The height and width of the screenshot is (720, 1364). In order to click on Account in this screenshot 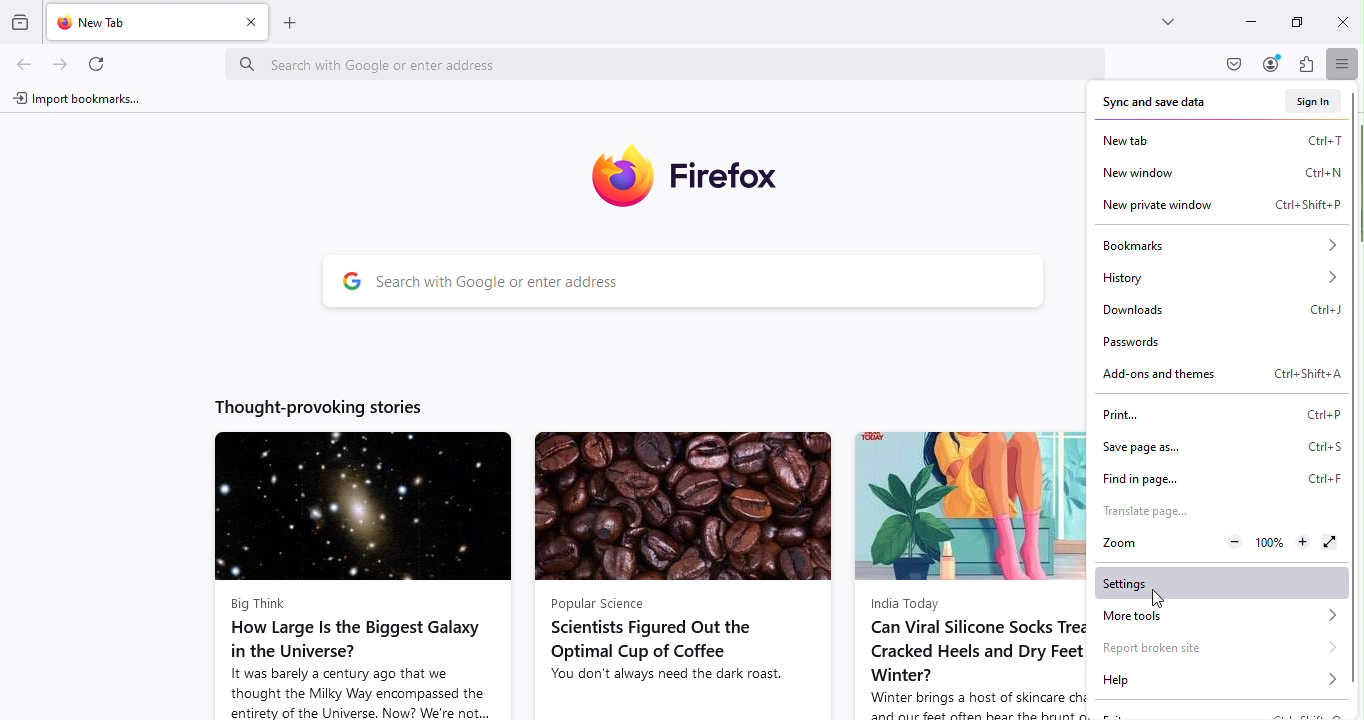, I will do `click(1271, 64)`.